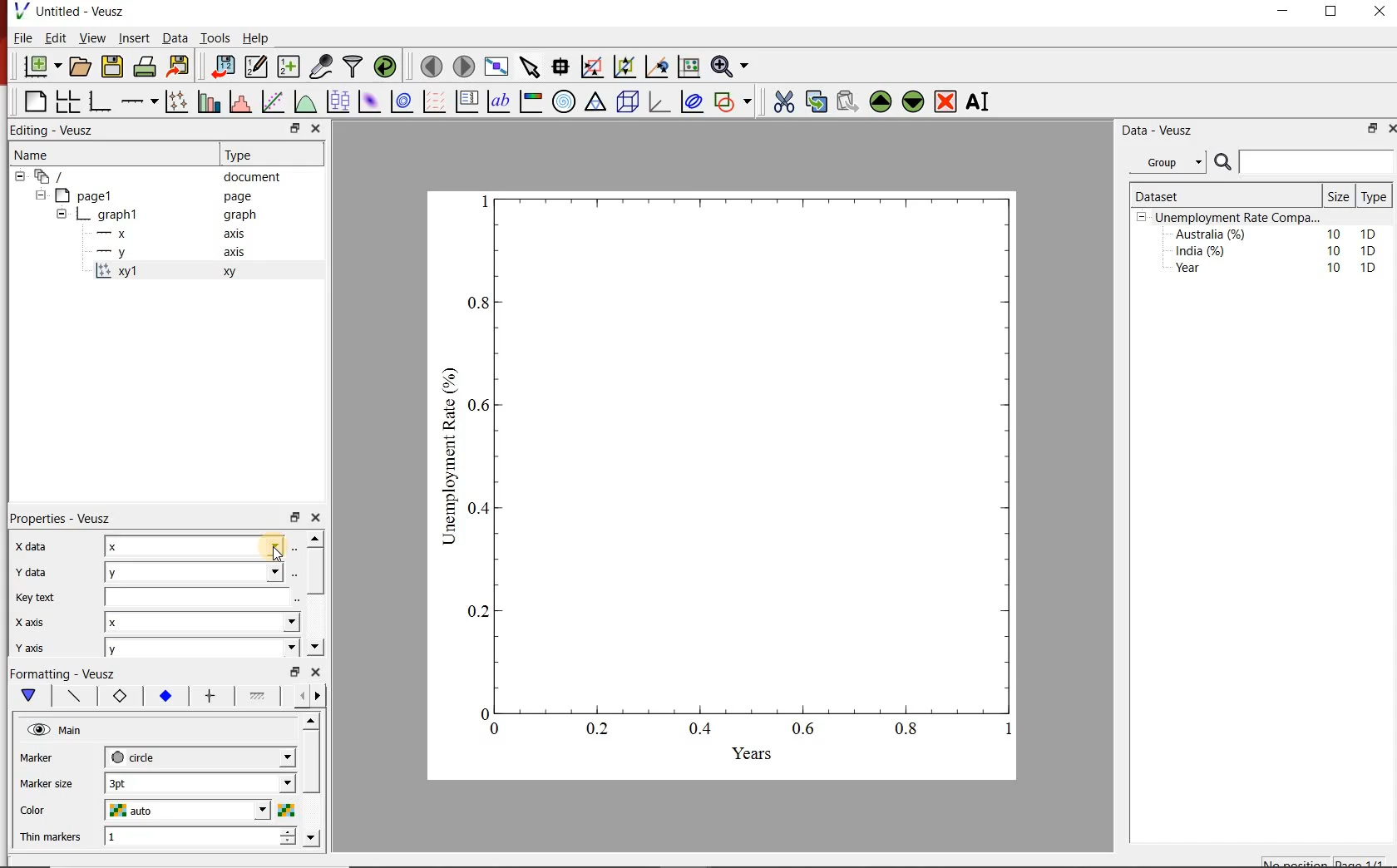  Describe the element at coordinates (190, 811) in the screenshot. I see `auto` at that location.